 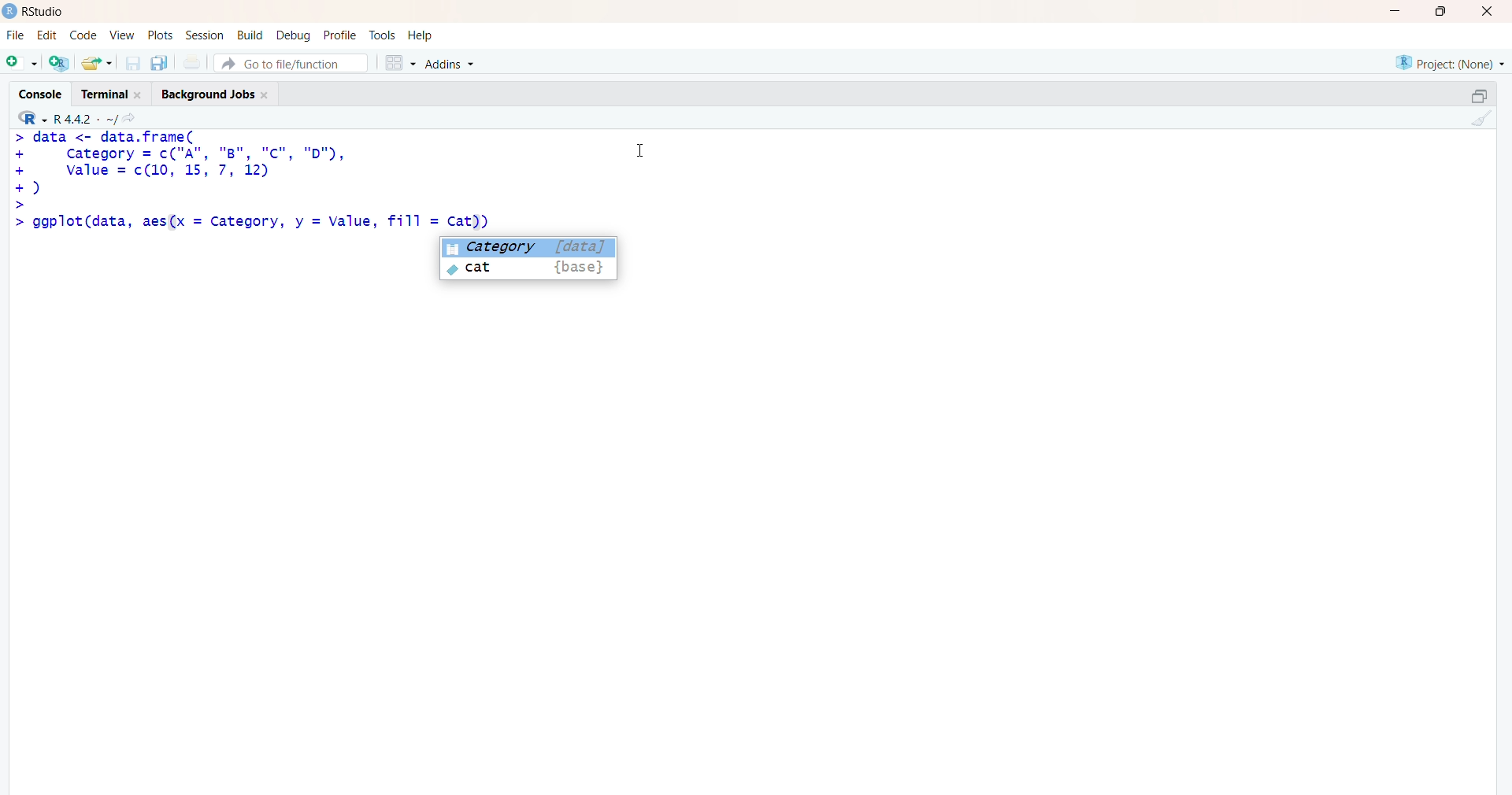 What do you see at coordinates (44, 92) in the screenshot?
I see `Console` at bounding box center [44, 92].